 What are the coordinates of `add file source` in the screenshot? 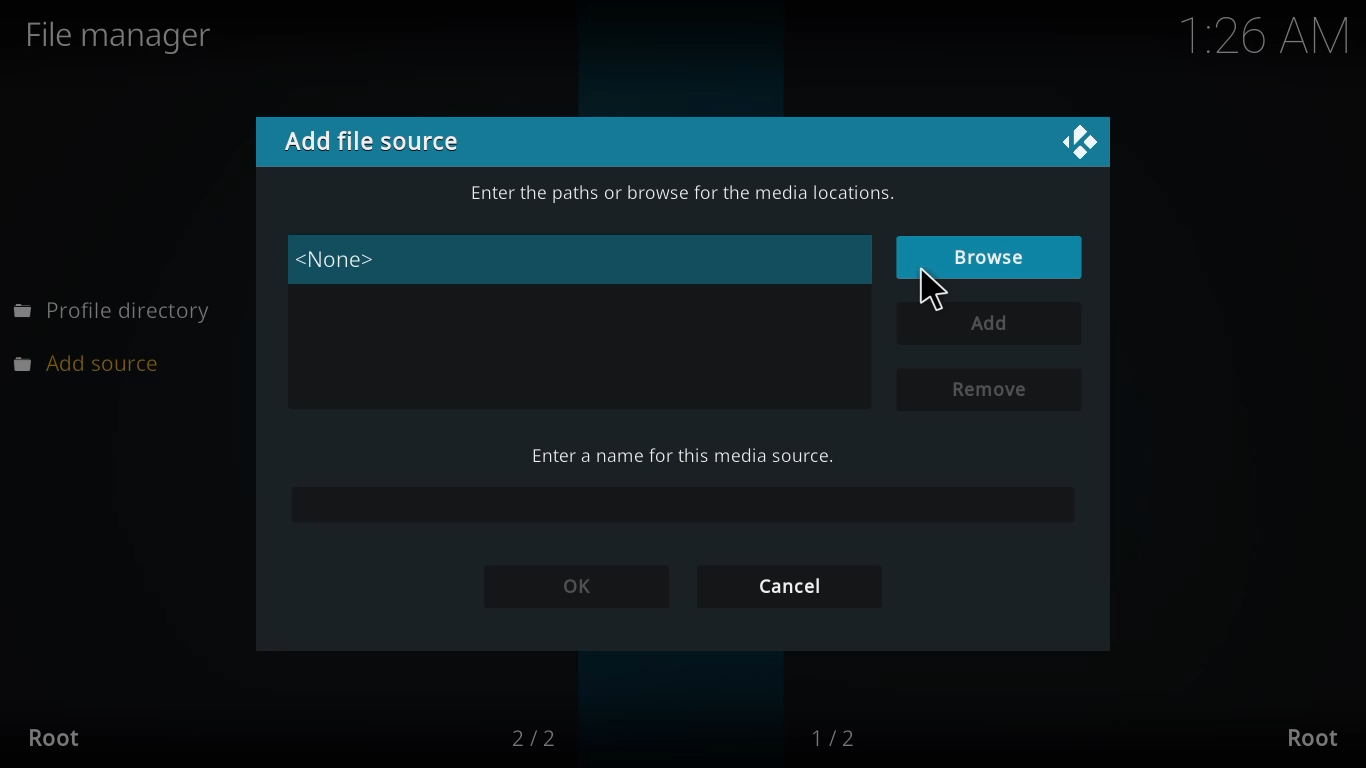 It's located at (373, 139).